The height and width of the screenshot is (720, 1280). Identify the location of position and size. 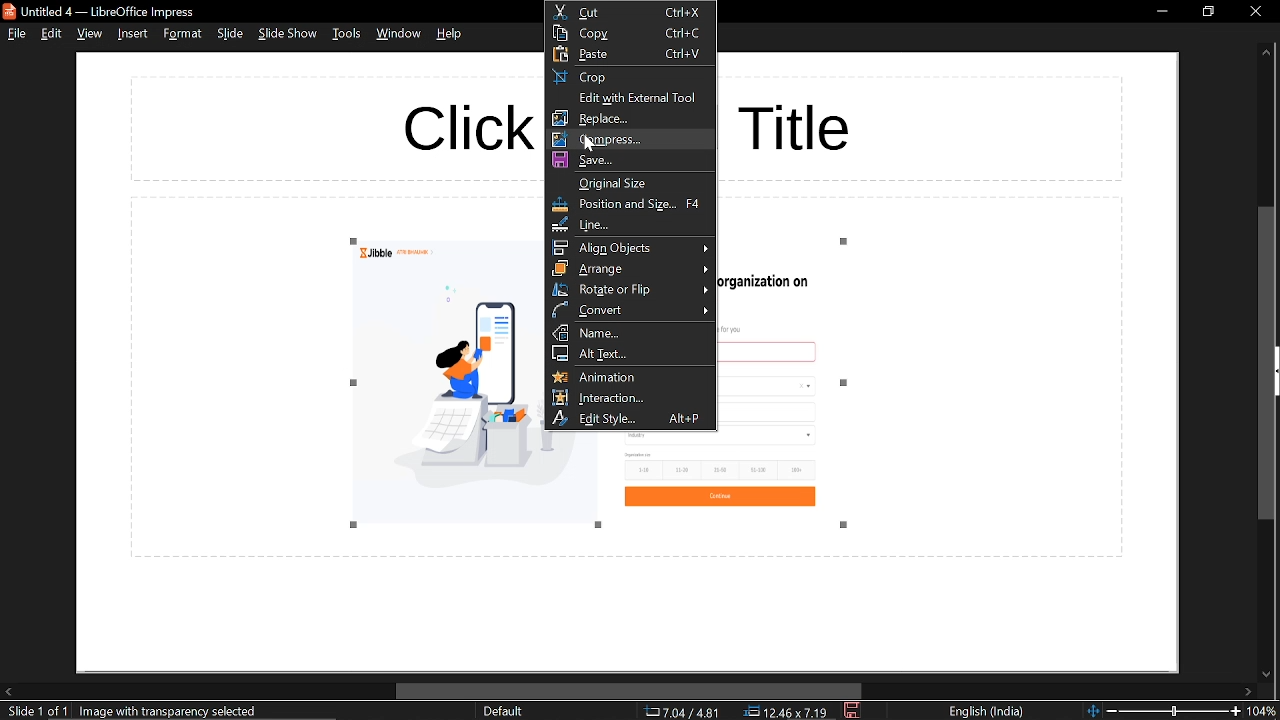
(611, 205).